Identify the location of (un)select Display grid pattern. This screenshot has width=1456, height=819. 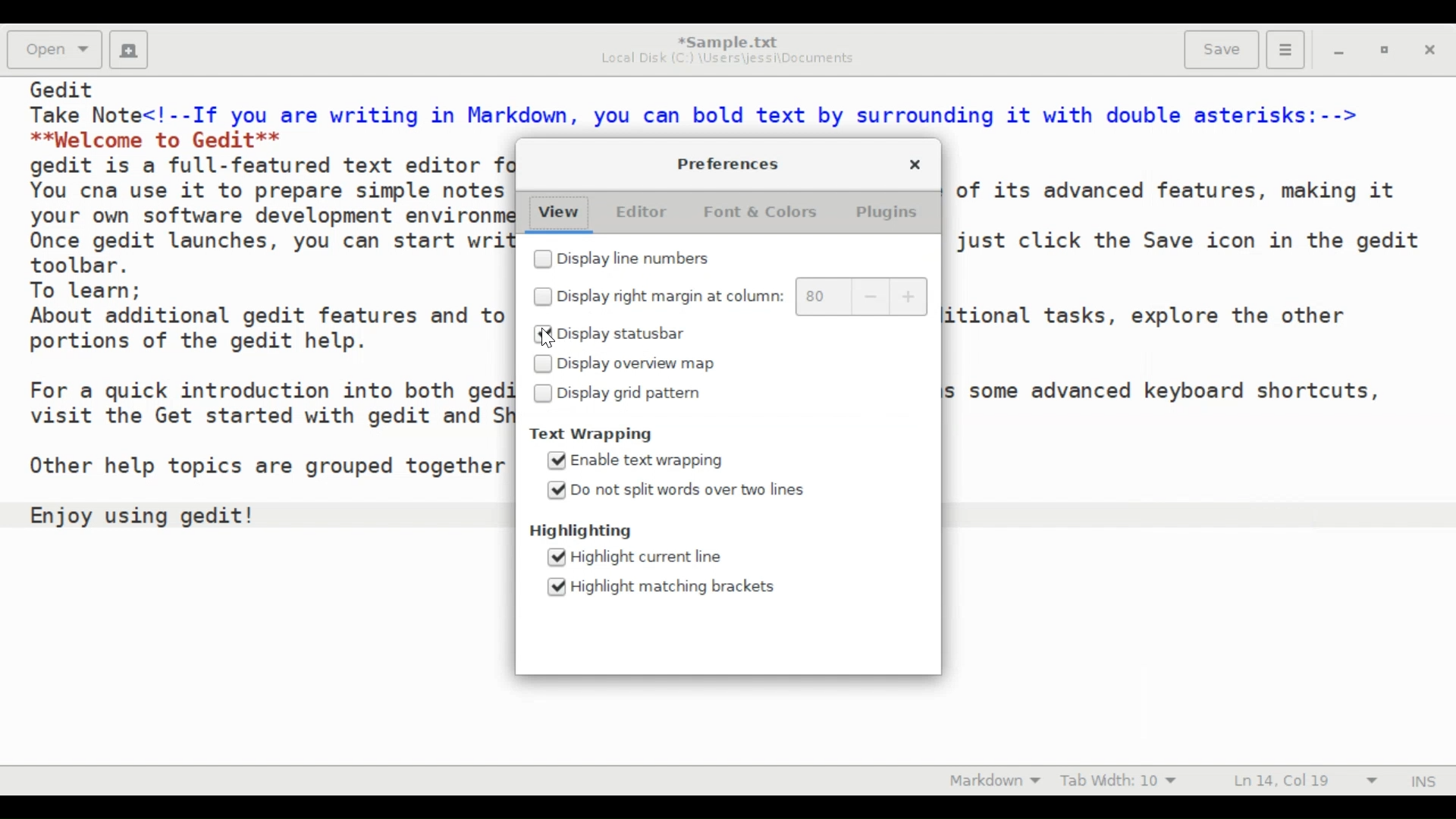
(625, 394).